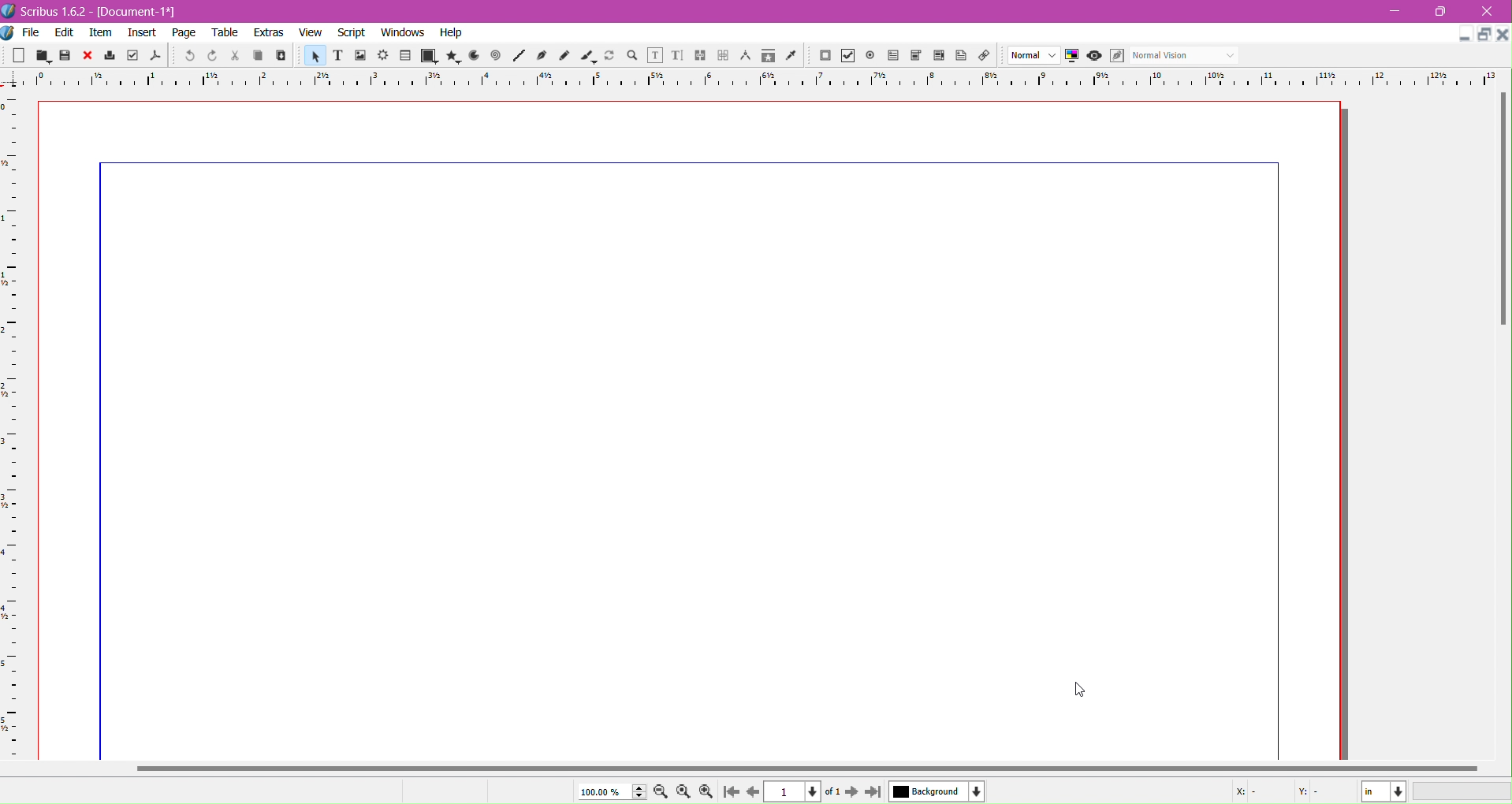 The width and height of the screenshot is (1512, 804). I want to click on unlink text frames, so click(723, 56).